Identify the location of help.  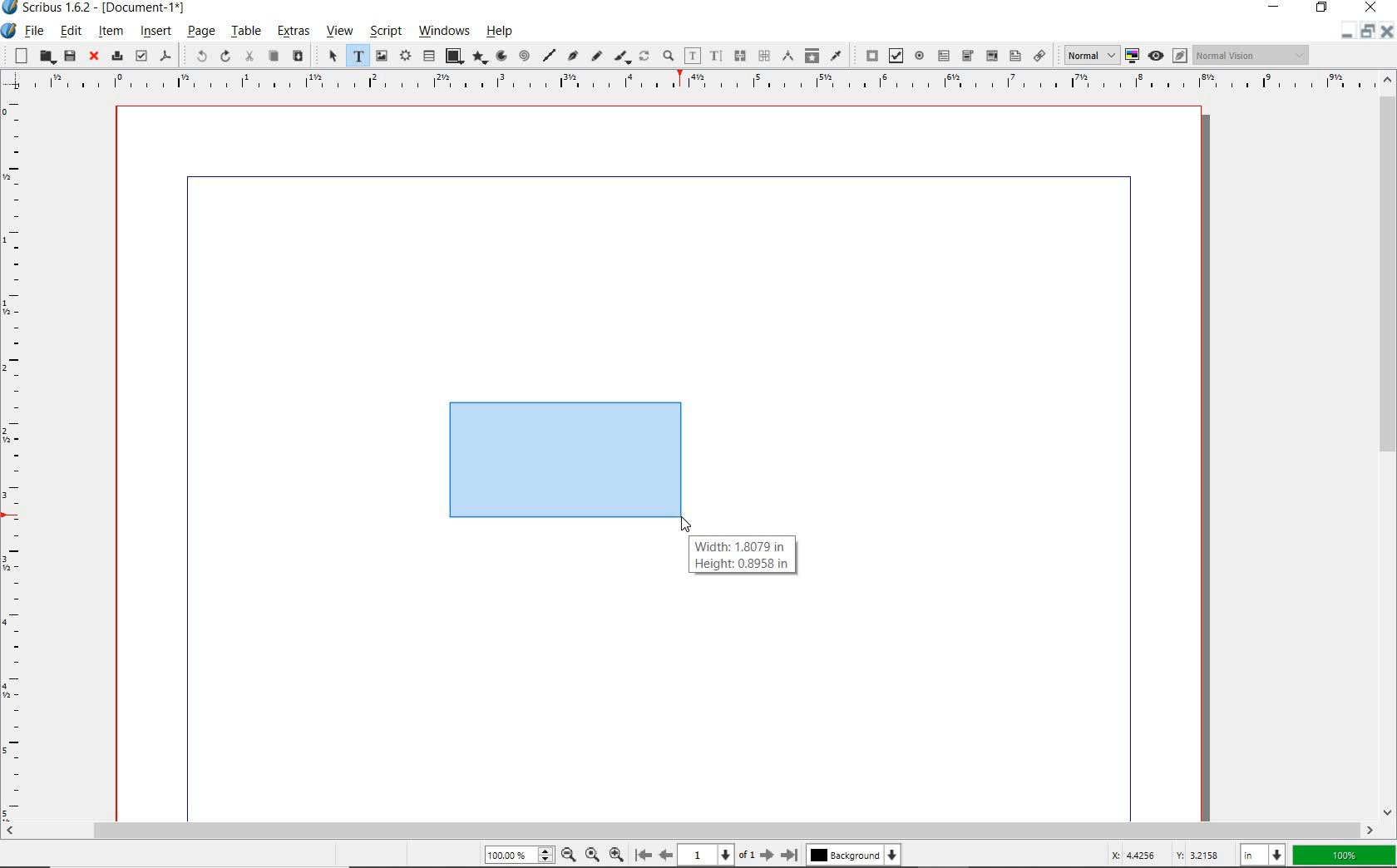
(499, 33).